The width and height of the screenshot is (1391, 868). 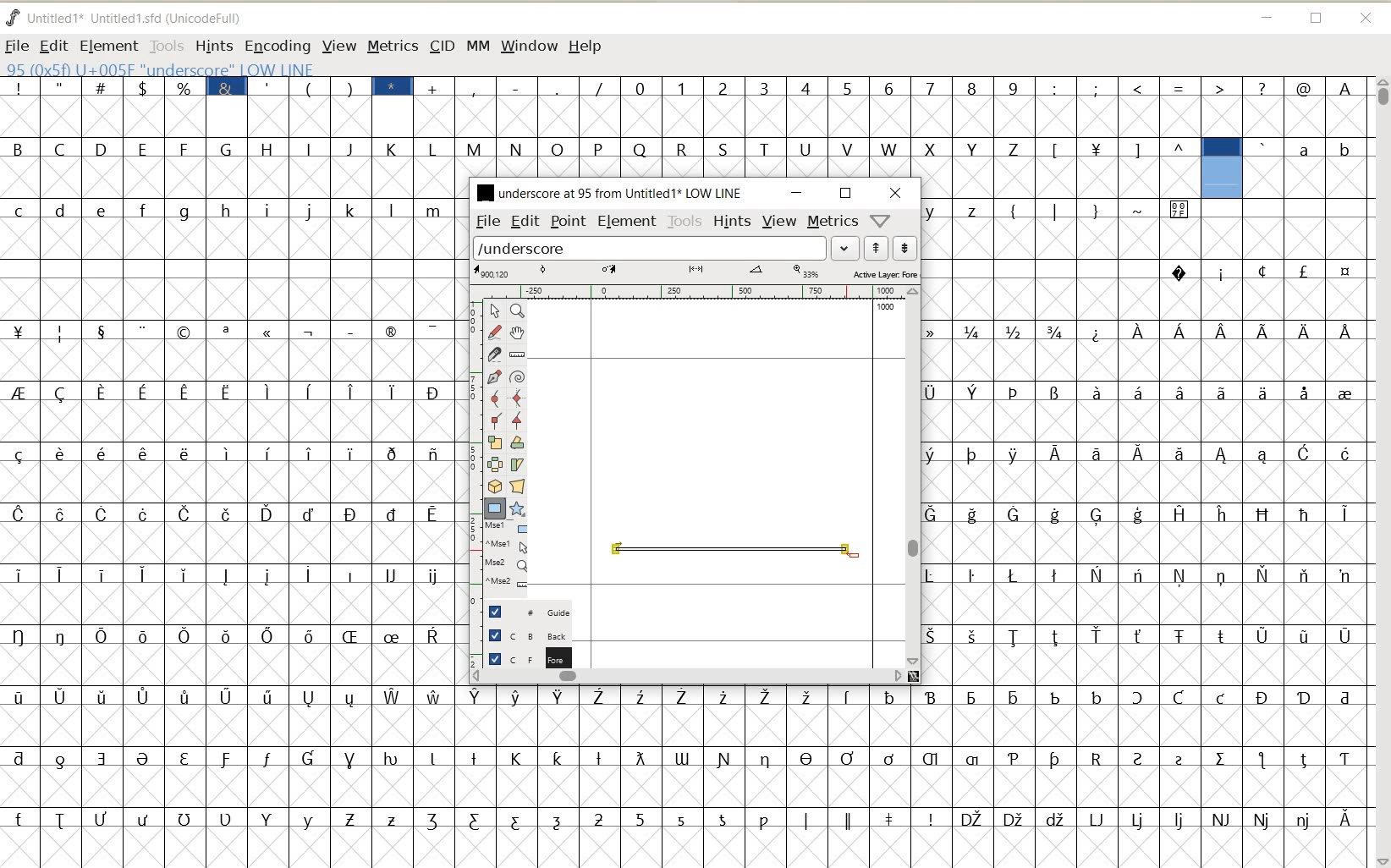 What do you see at coordinates (493, 442) in the screenshot?
I see `scale the selection` at bounding box center [493, 442].